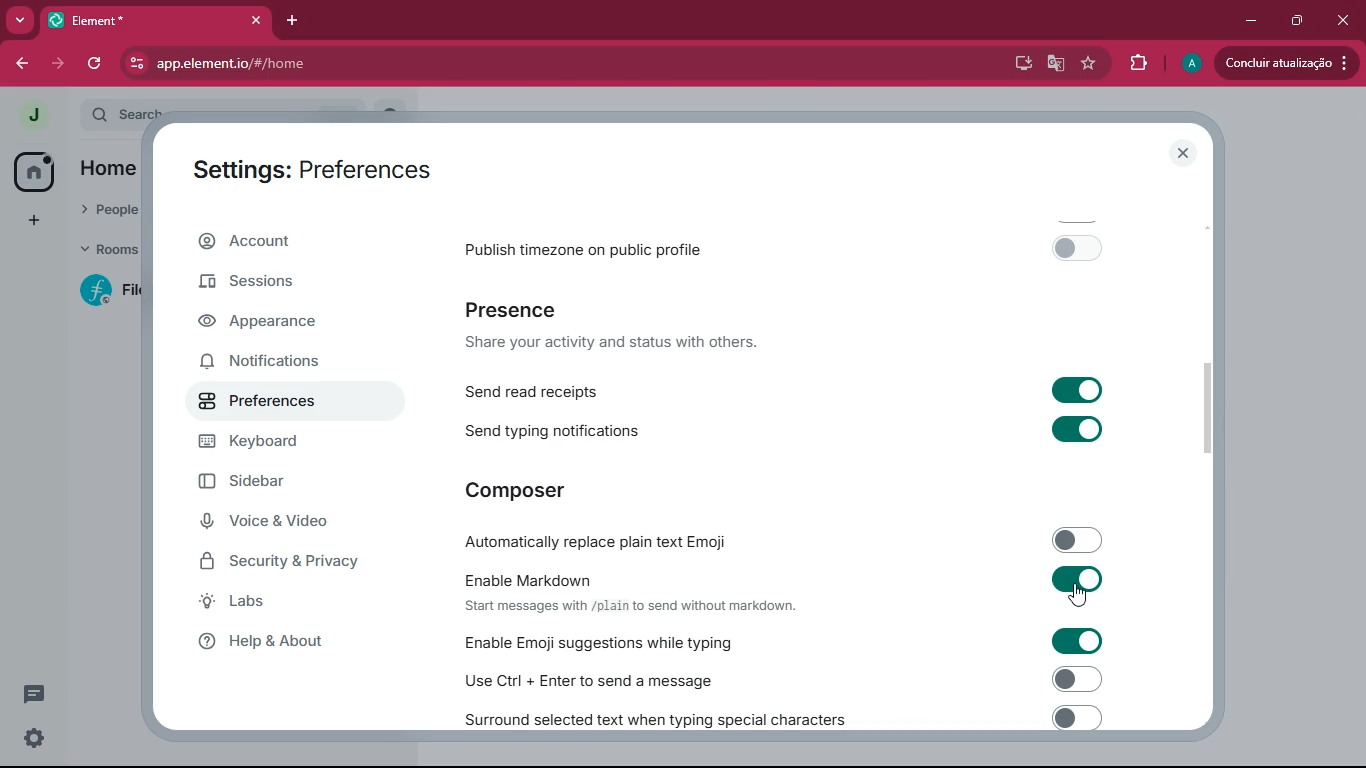 The image size is (1366, 768). Describe the element at coordinates (270, 322) in the screenshot. I see `appearance` at that location.